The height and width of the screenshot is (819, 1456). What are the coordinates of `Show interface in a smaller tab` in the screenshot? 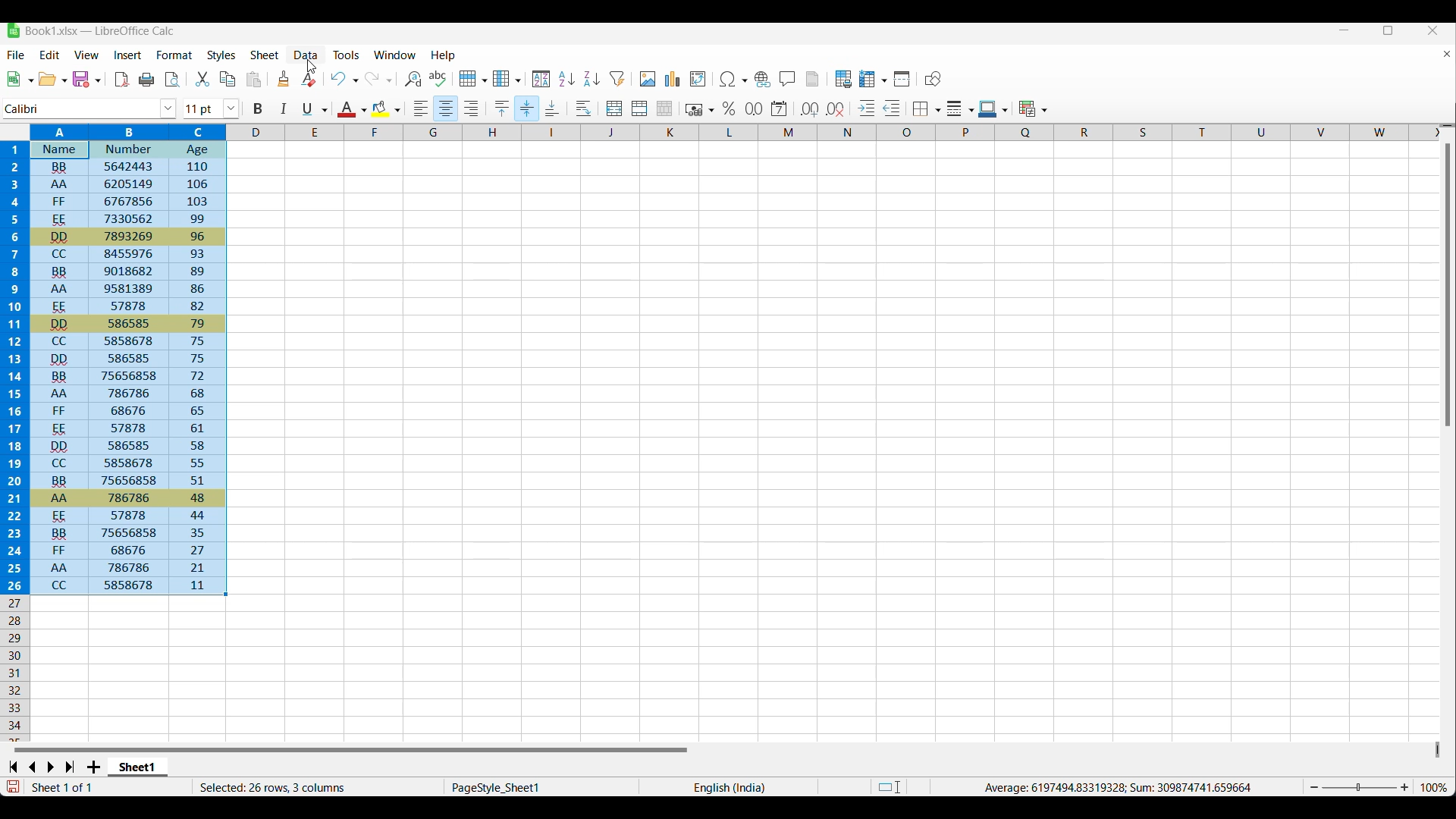 It's located at (1389, 30).